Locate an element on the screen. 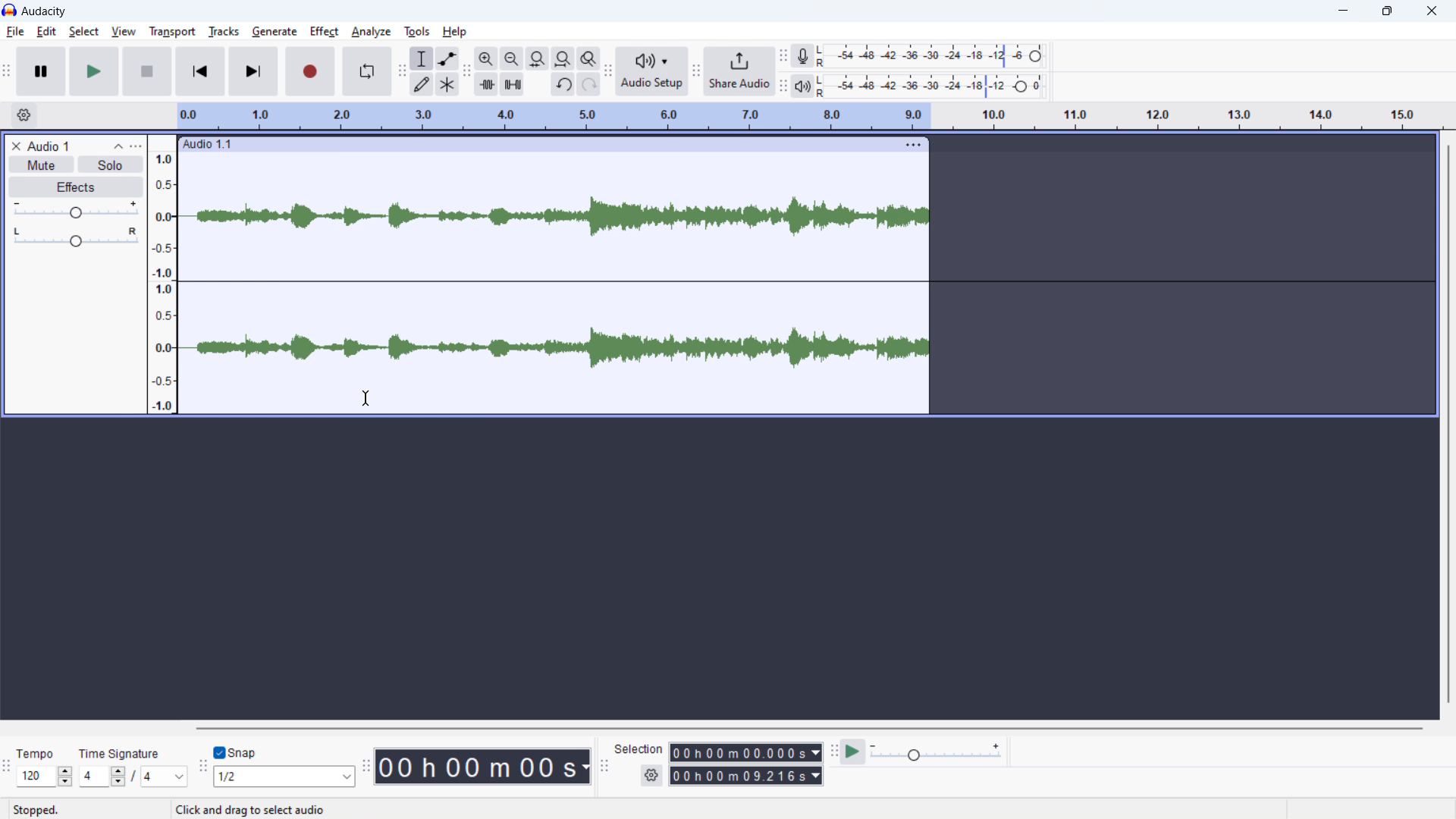 Image resolution: width=1456 pixels, height=819 pixels. transport toolbar is located at coordinates (7, 73).